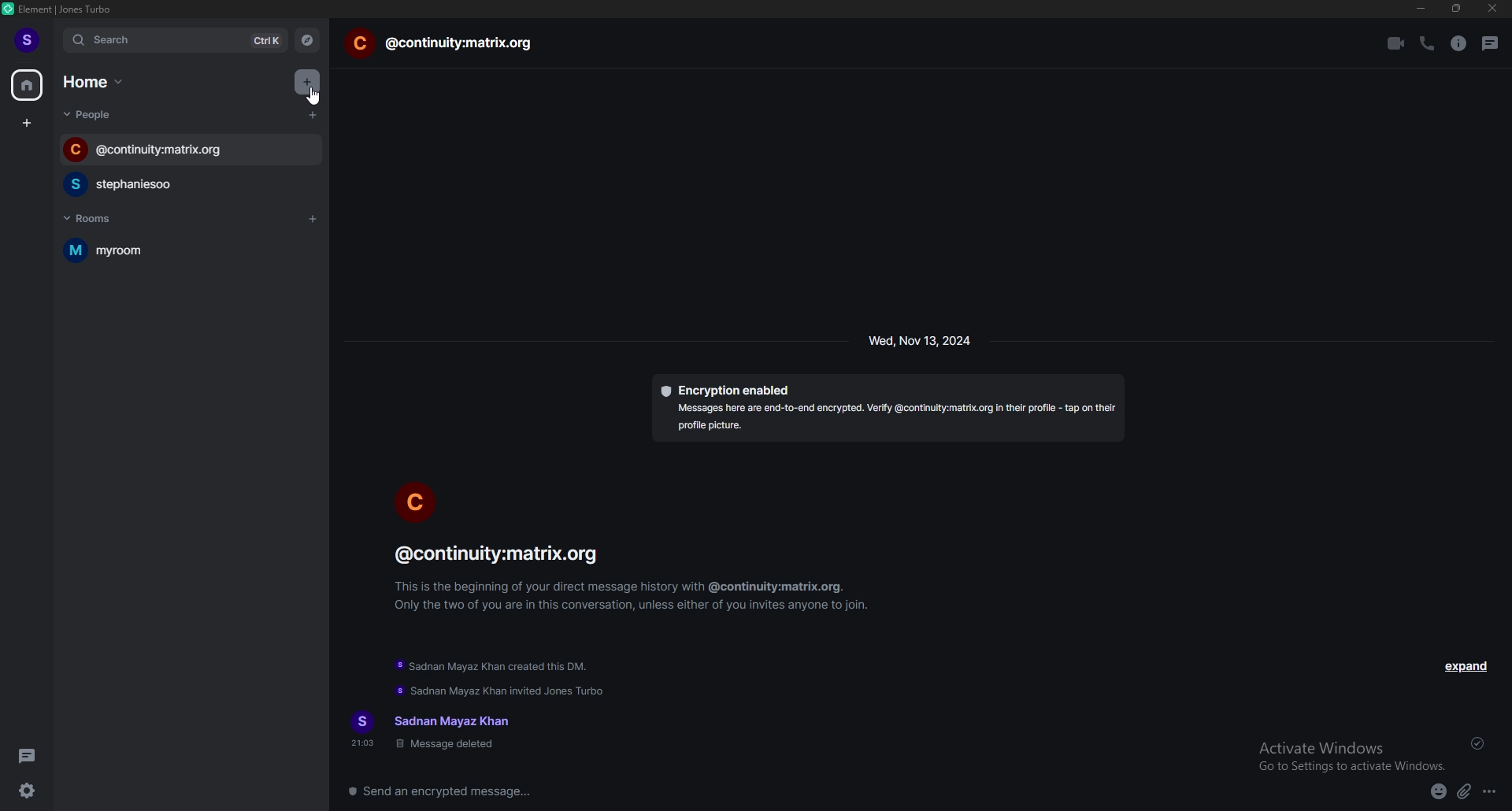  What do you see at coordinates (416, 500) in the screenshot?
I see `profile photo` at bounding box center [416, 500].